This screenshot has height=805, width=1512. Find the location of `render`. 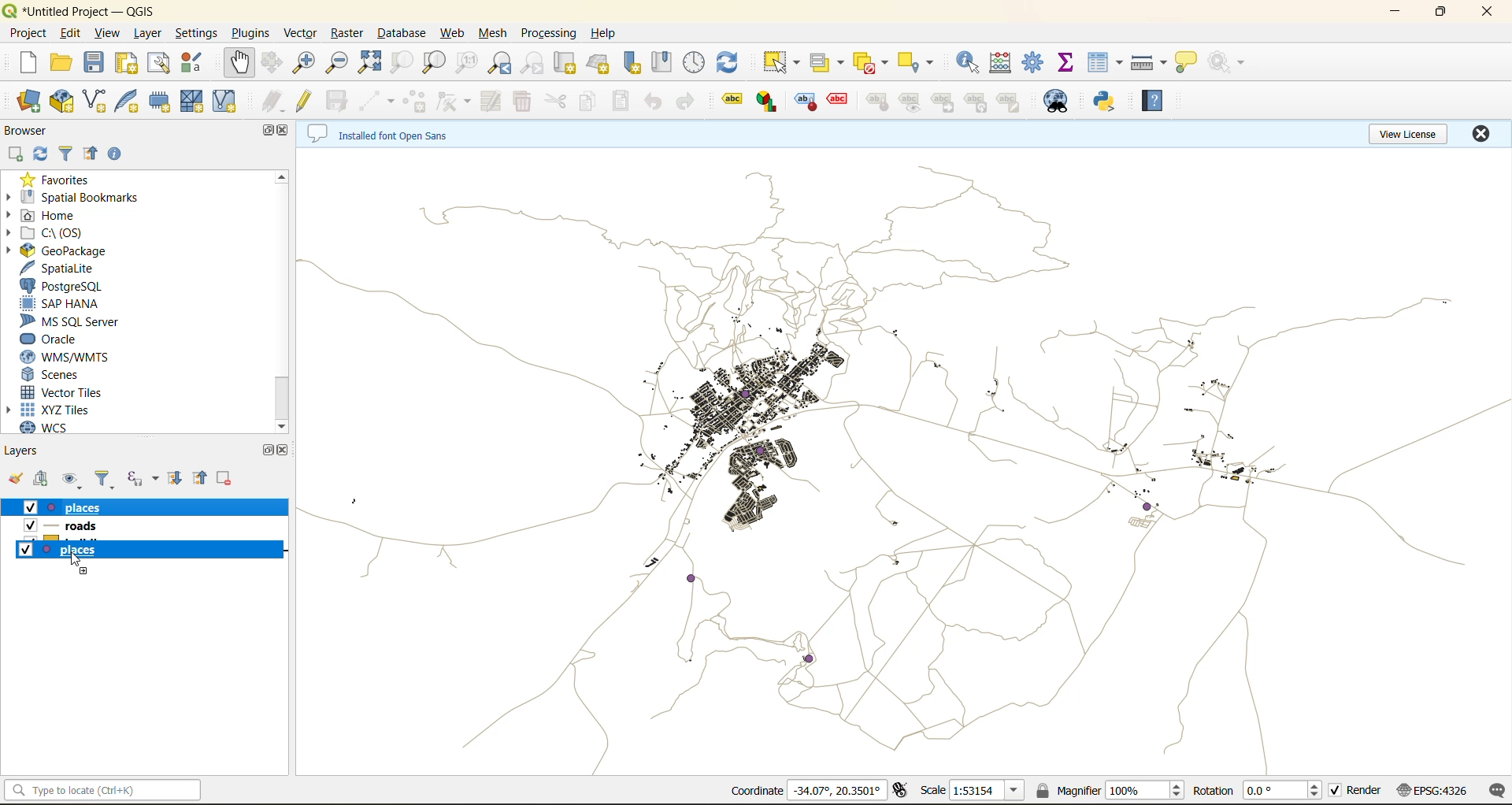

render is located at coordinates (1354, 791).